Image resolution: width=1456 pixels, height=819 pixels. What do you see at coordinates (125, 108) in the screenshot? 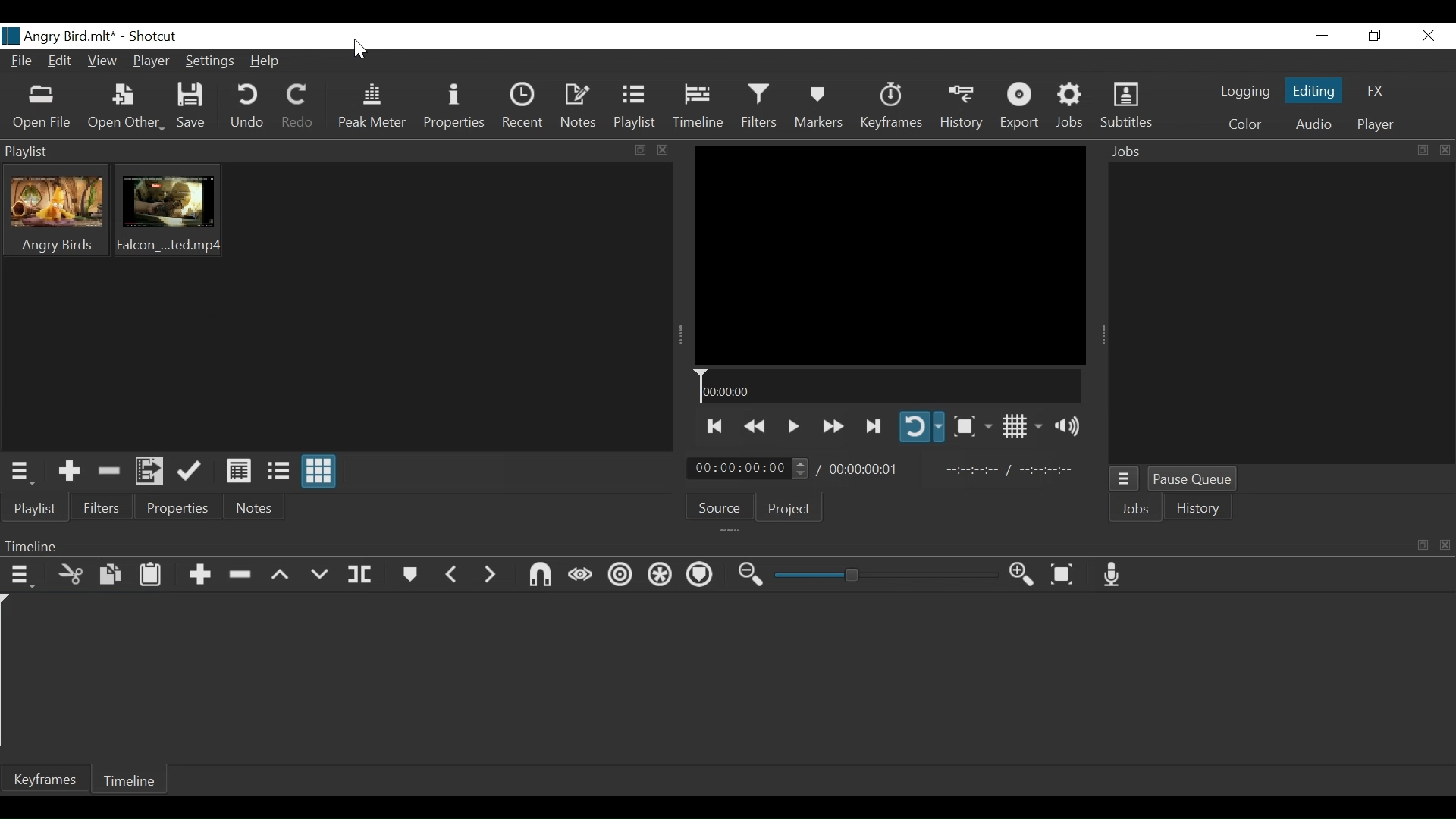
I see `Open Other` at bounding box center [125, 108].